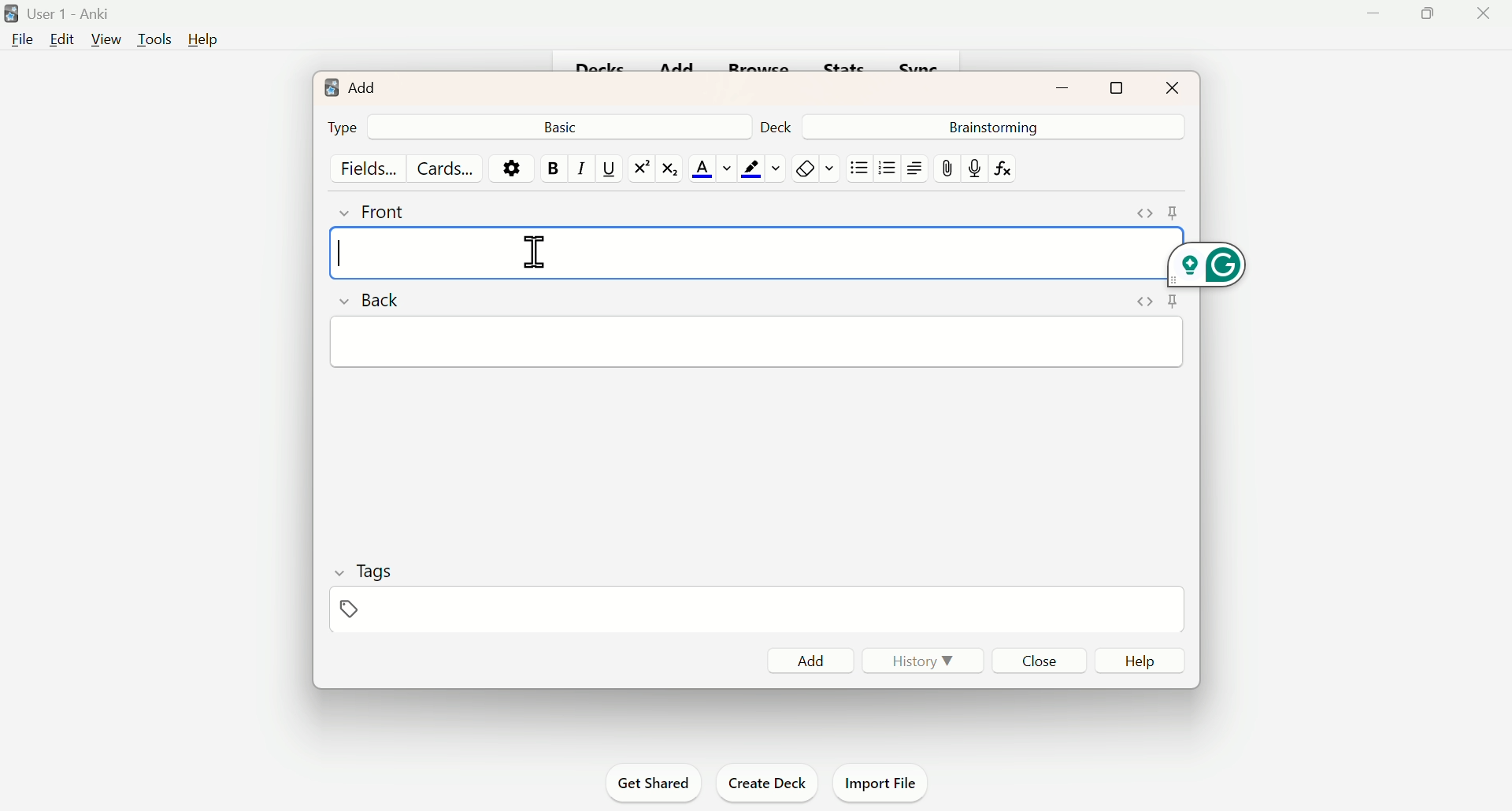  Describe the element at coordinates (105, 36) in the screenshot. I see `` at that location.